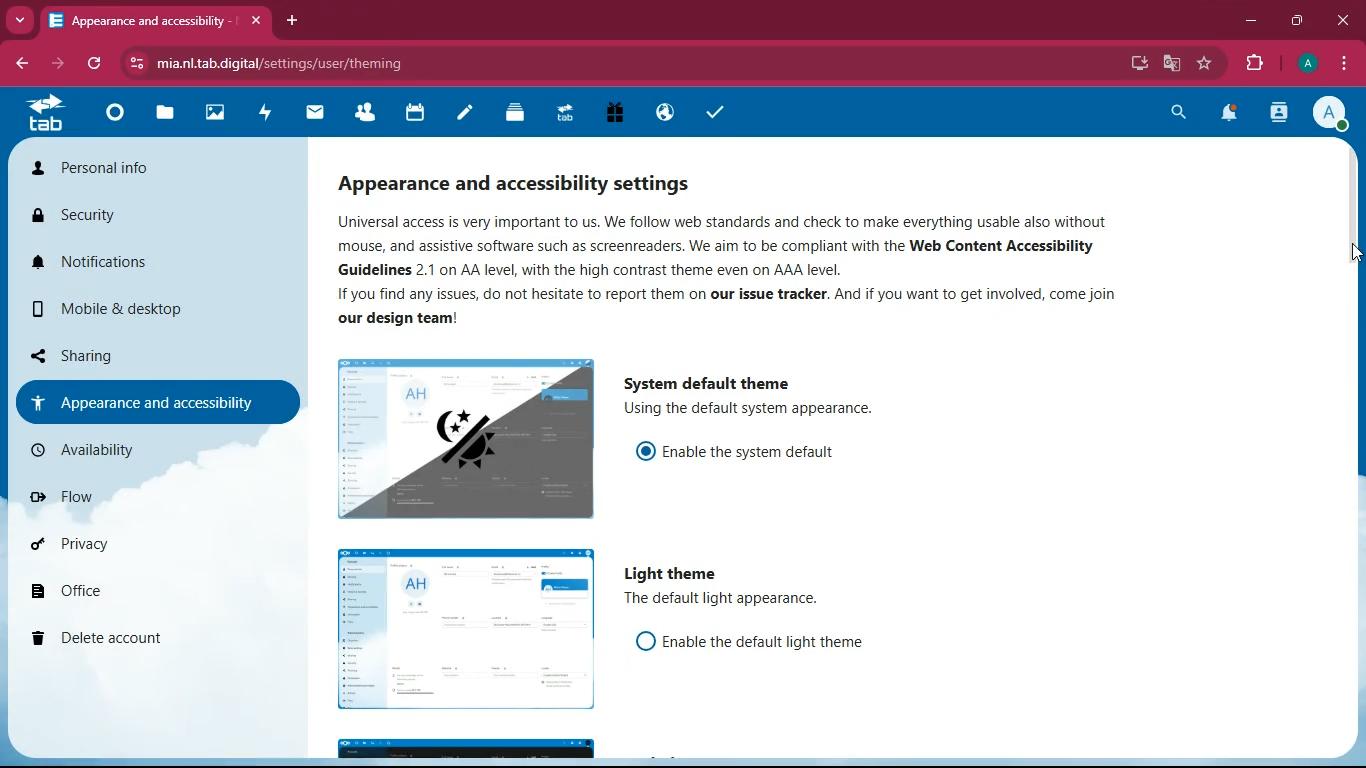 This screenshot has width=1366, height=768. I want to click on notes, so click(469, 117).